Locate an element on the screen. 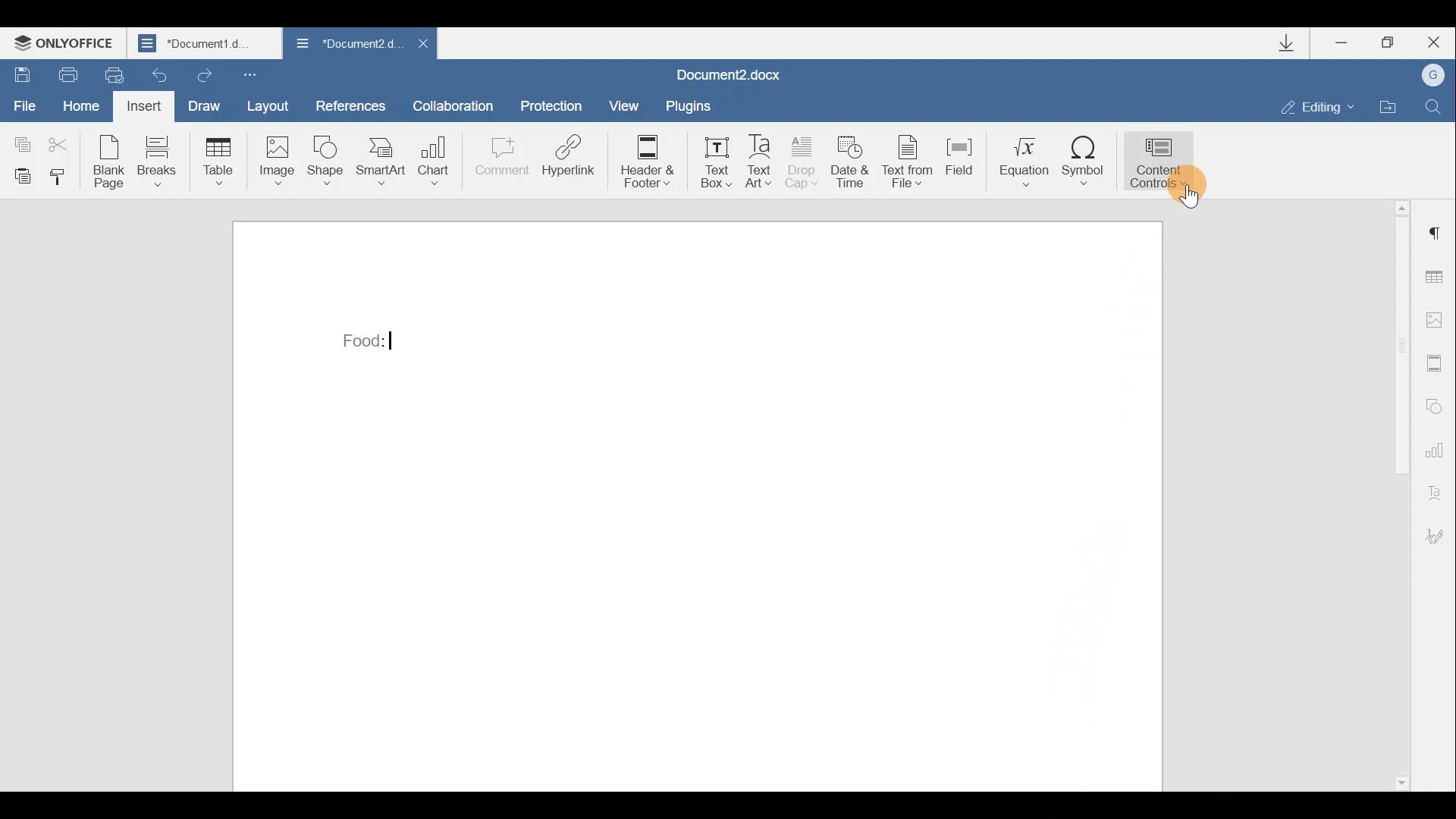 Image resolution: width=1456 pixels, height=819 pixels. Comment is located at coordinates (501, 164).